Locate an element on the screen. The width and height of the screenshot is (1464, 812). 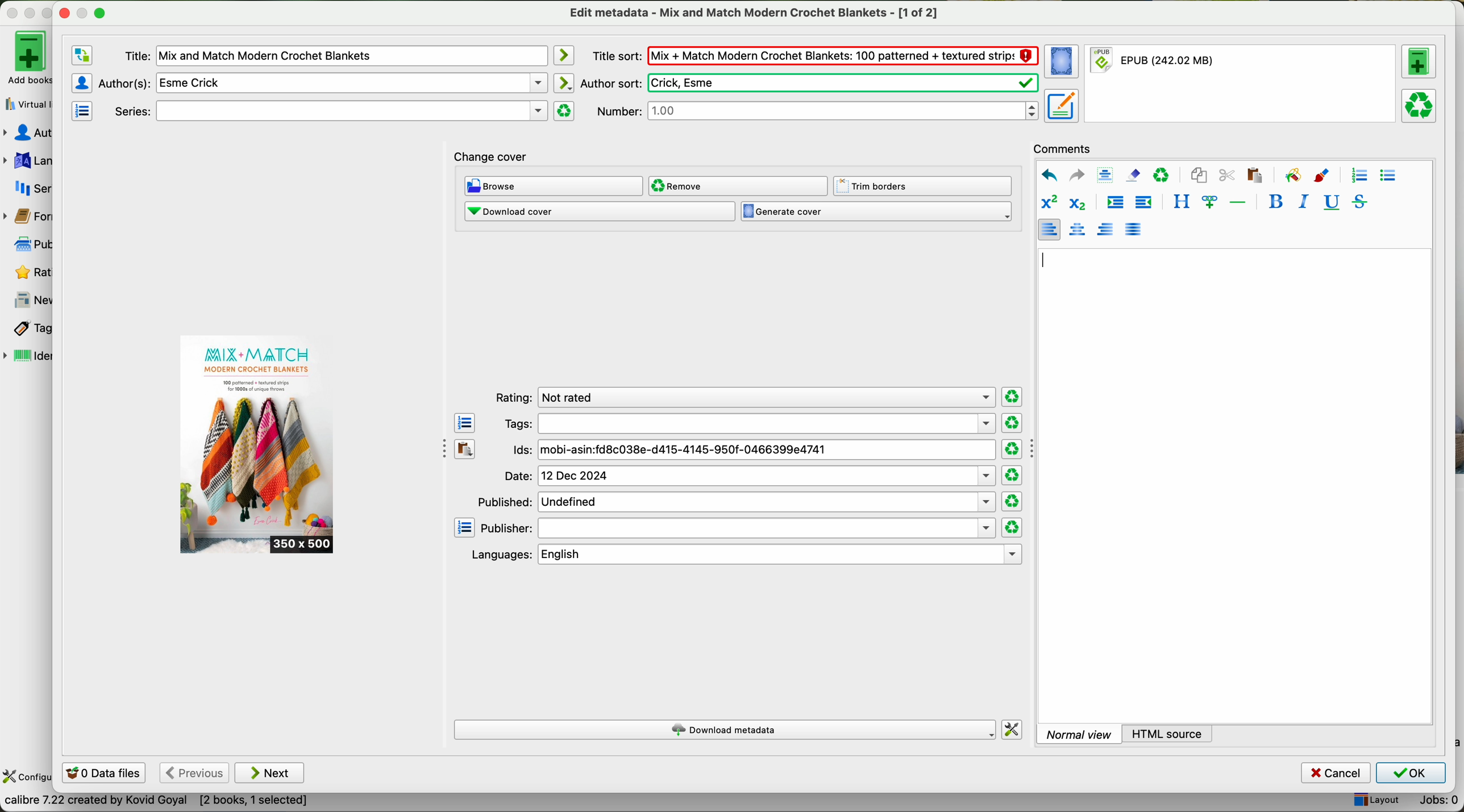
virtual library is located at coordinates (26, 101).